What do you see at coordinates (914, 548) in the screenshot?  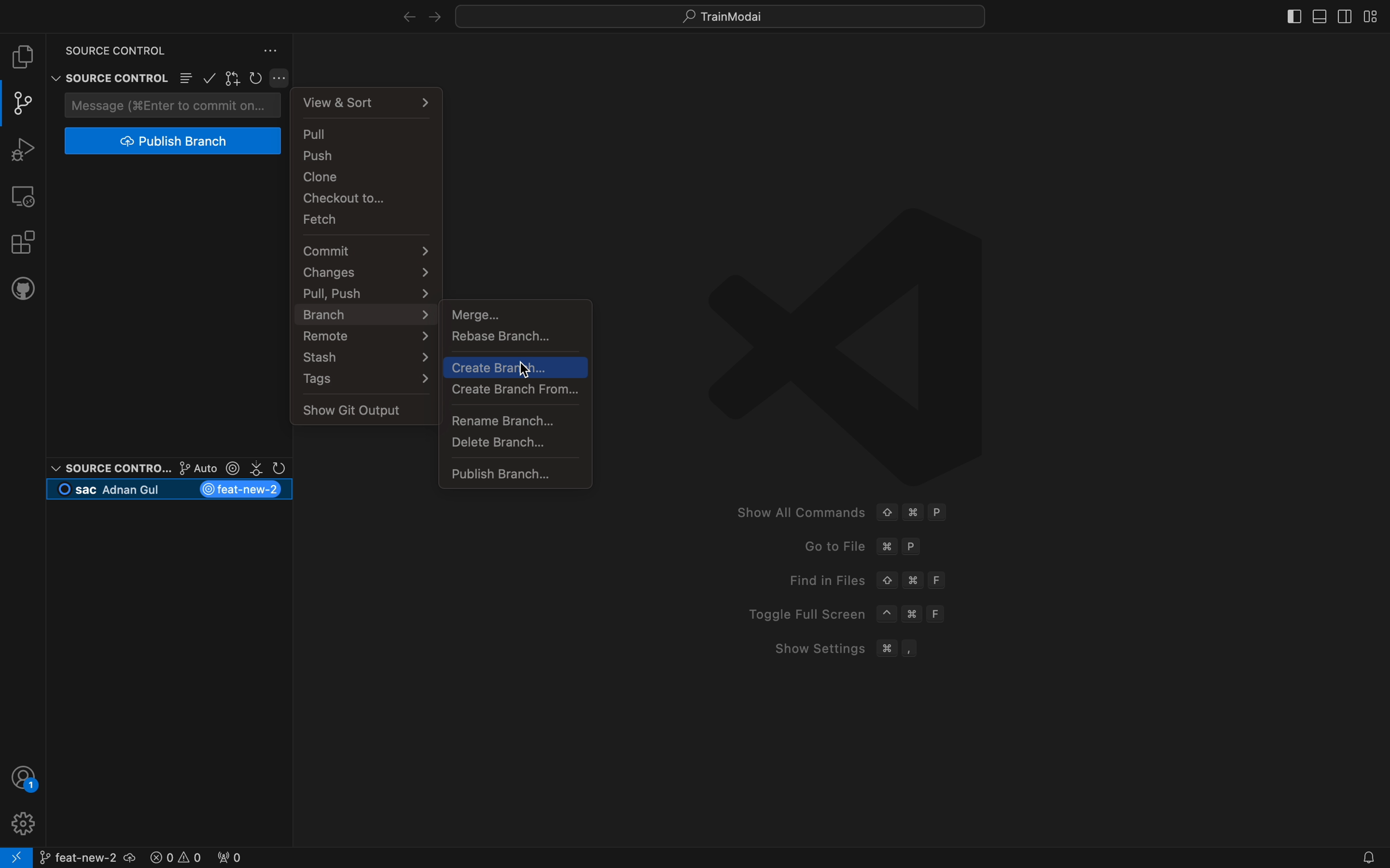 I see `P` at bounding box center [914, 548].